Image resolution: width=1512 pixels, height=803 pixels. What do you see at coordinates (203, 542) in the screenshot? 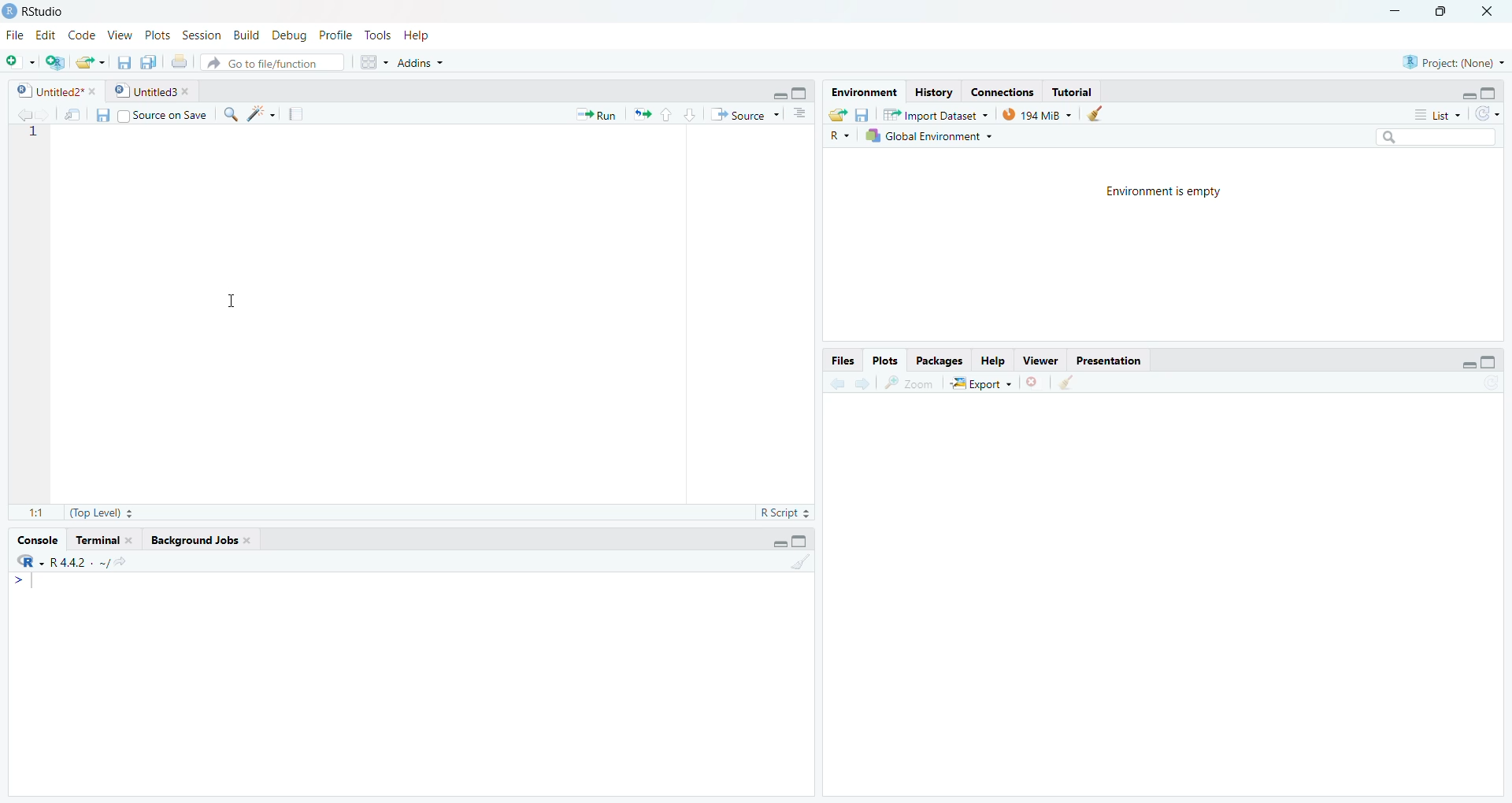
I see `Background Jobs` at bounding box center [203, 542].